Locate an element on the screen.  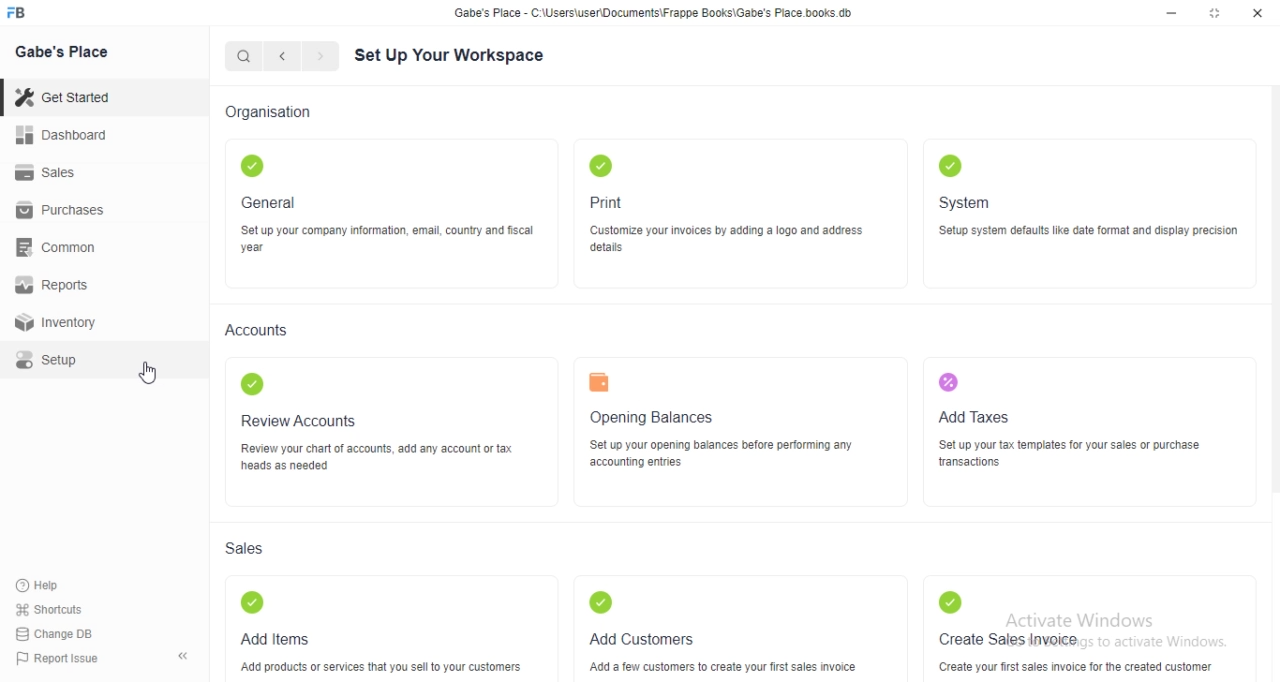
Gabe's Place is located at coordinates (70, 57).